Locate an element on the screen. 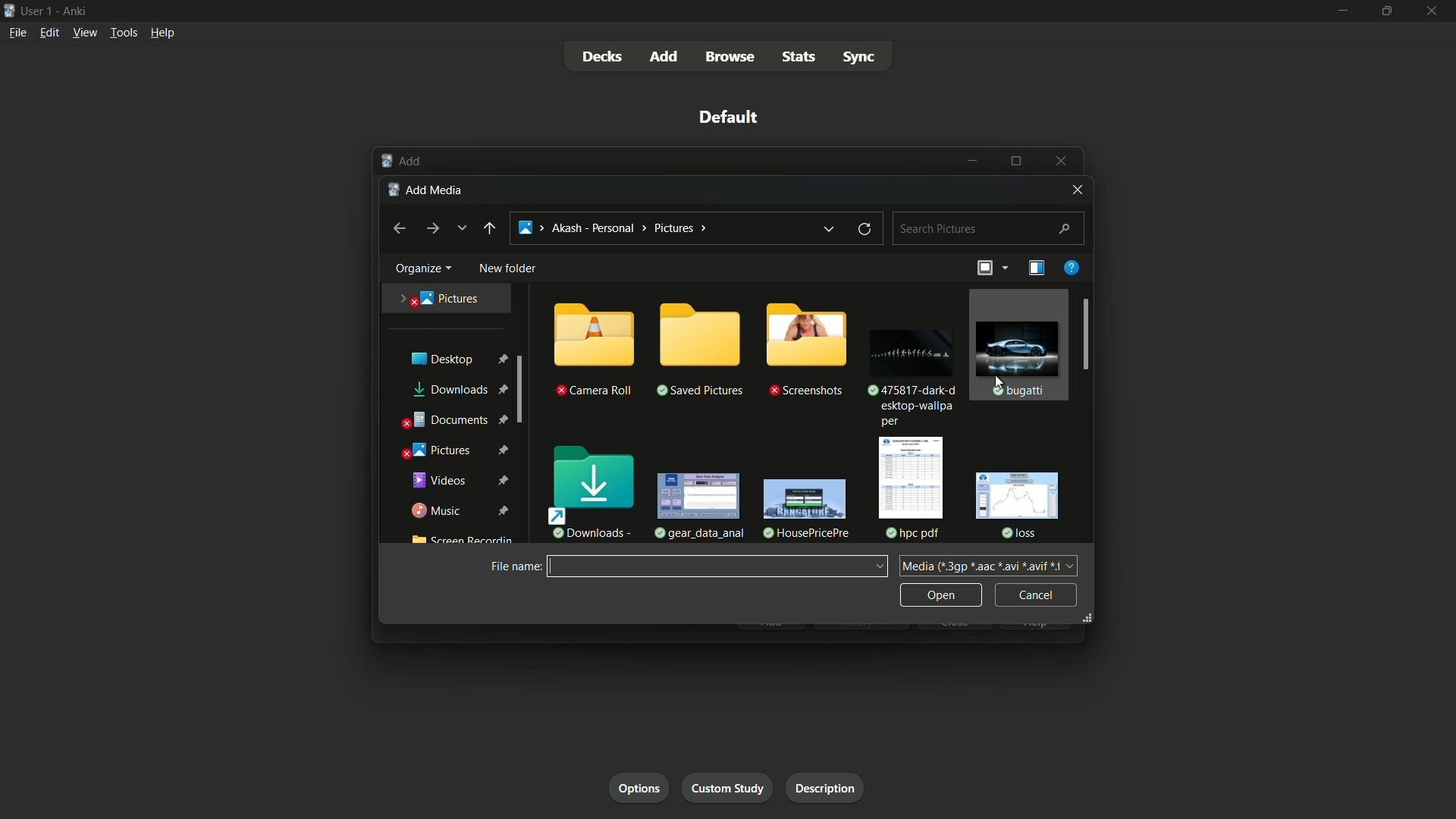 The image size is (1456, 819). file-3 is located at coordinates (696, 506).